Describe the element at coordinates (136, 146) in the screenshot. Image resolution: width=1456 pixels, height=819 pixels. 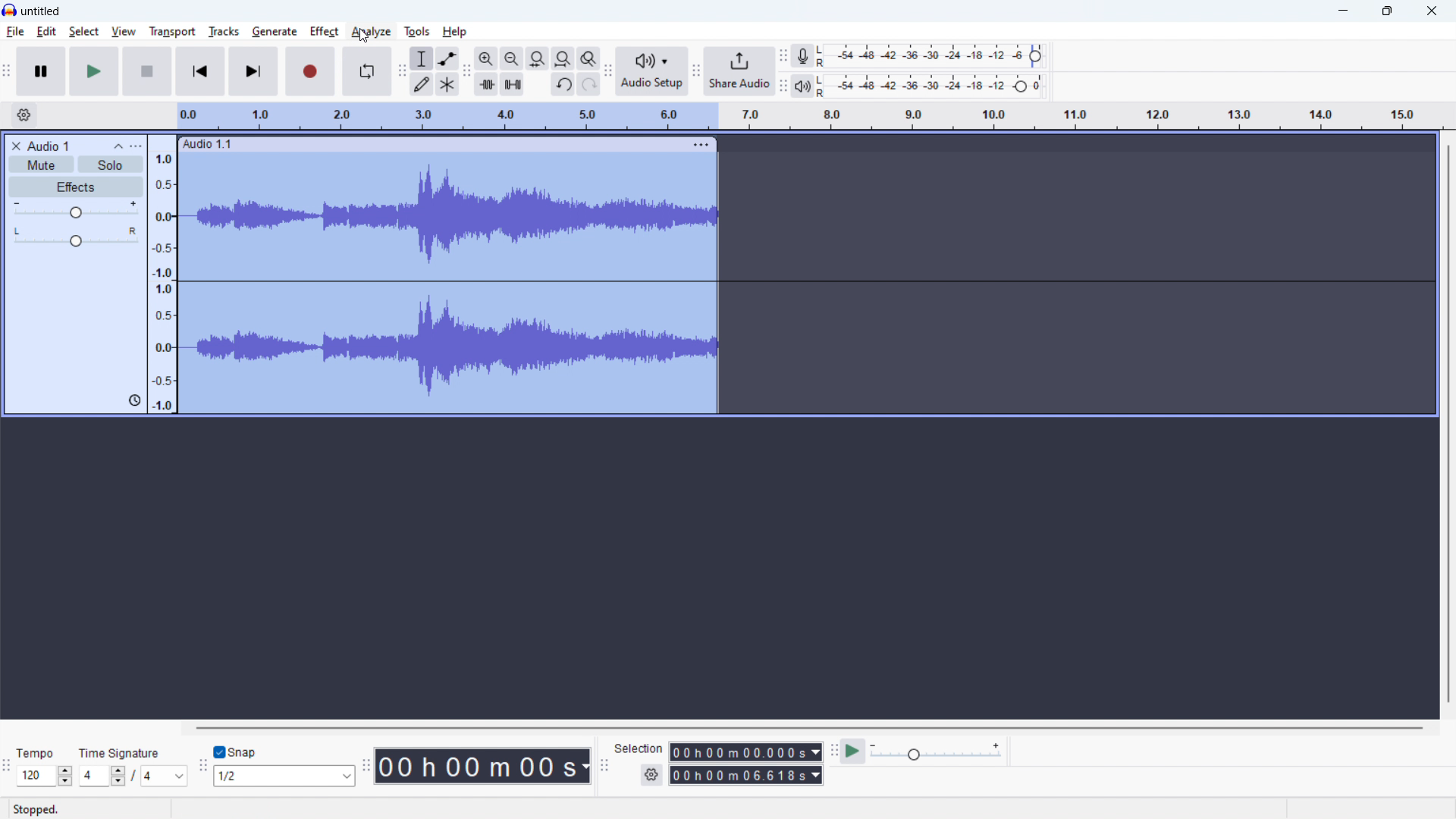
I see `track control panel menu` at that location.